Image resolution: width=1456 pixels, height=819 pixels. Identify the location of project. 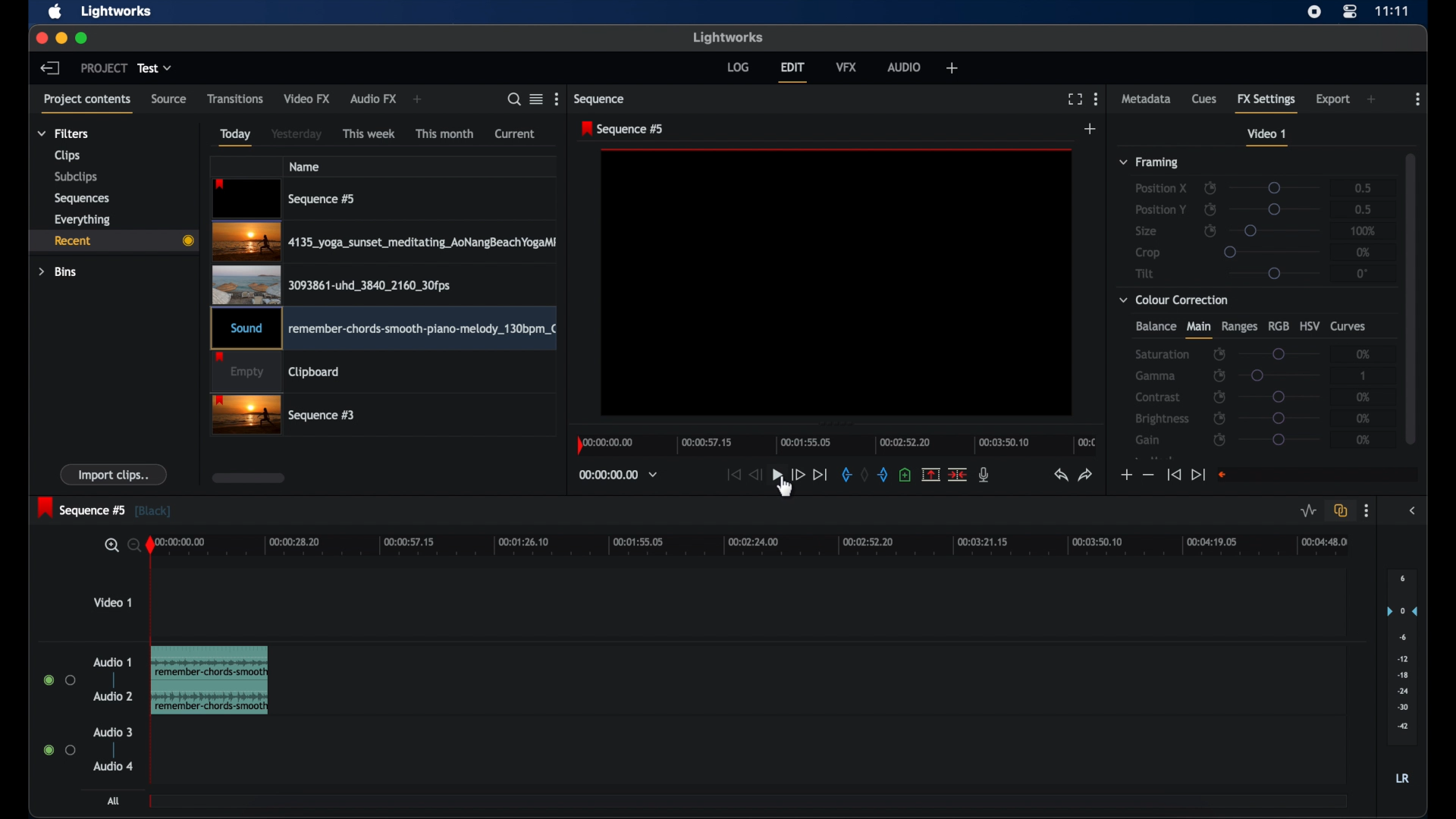
(103, 67).